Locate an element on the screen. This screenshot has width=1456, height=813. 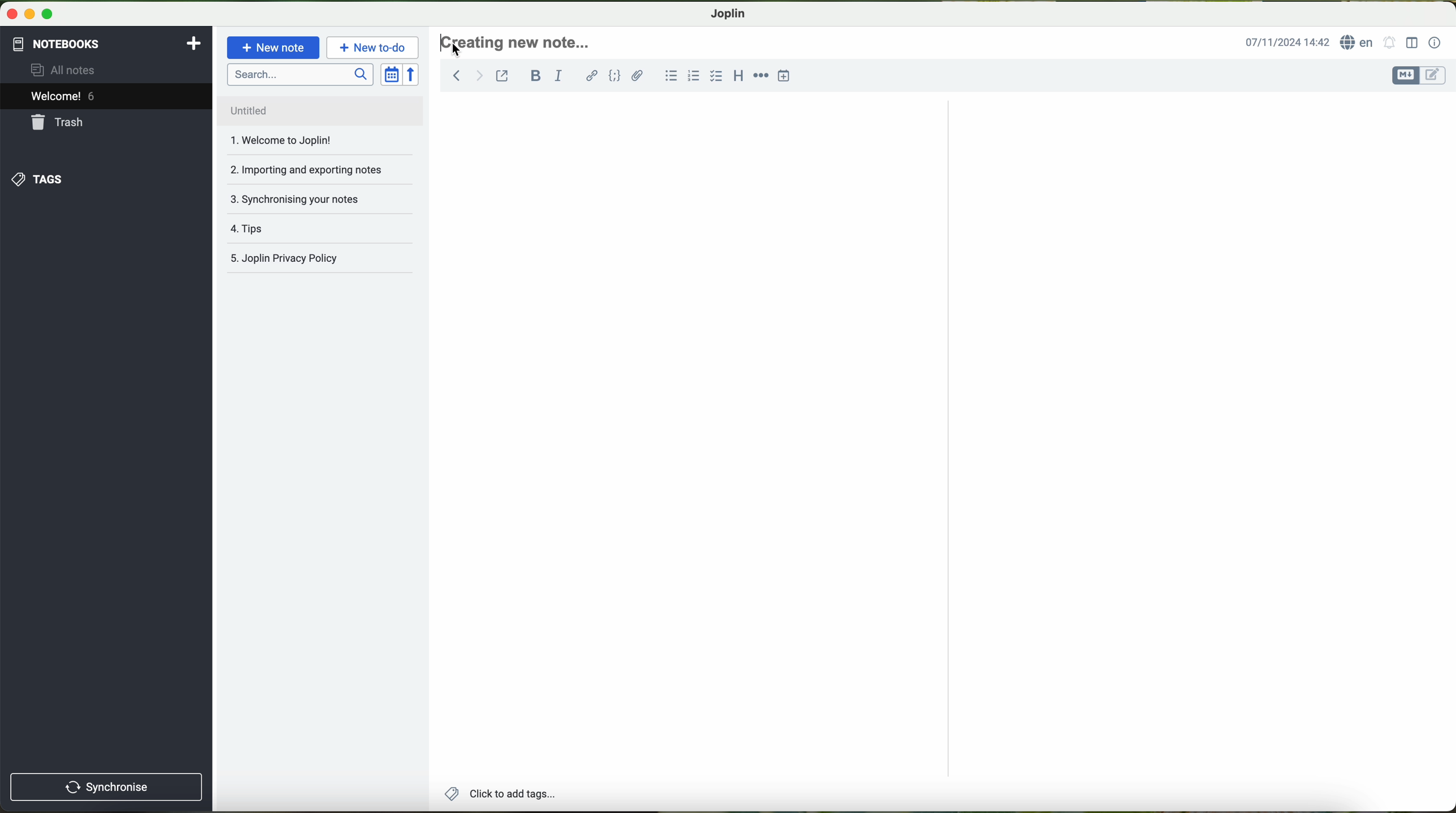
bulleted list is located at coordinates (670, 77).